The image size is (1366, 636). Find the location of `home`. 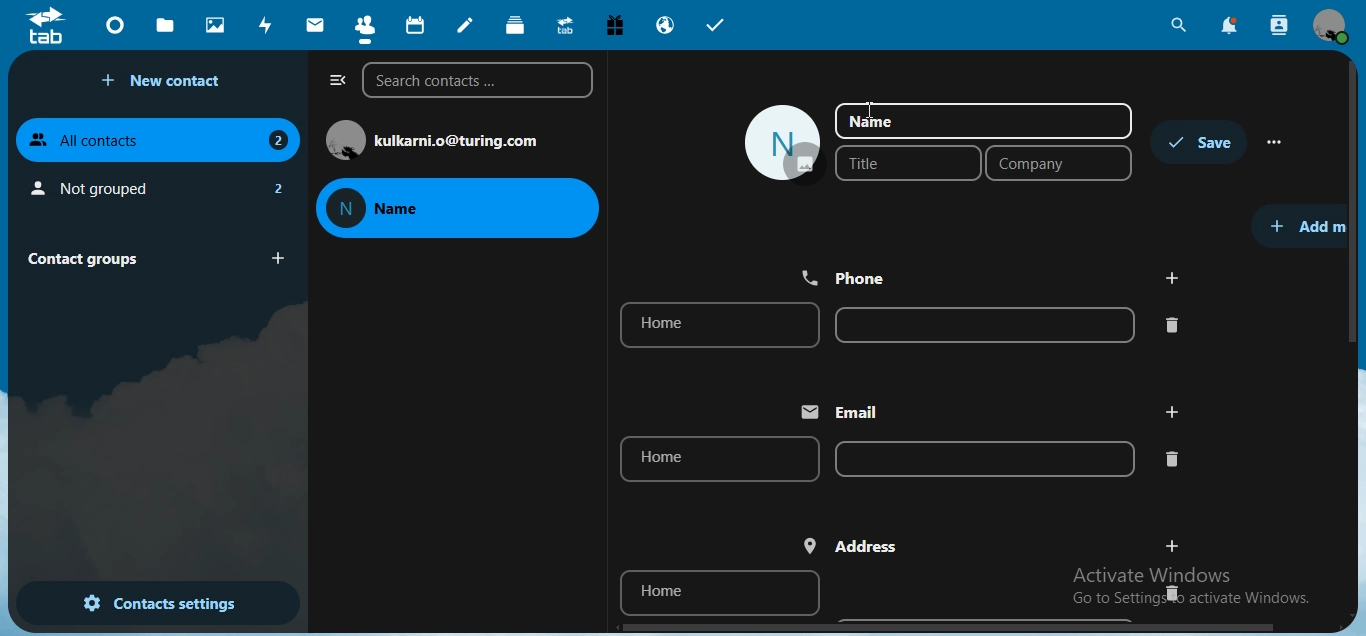

home is located at coordinates (715, 326).